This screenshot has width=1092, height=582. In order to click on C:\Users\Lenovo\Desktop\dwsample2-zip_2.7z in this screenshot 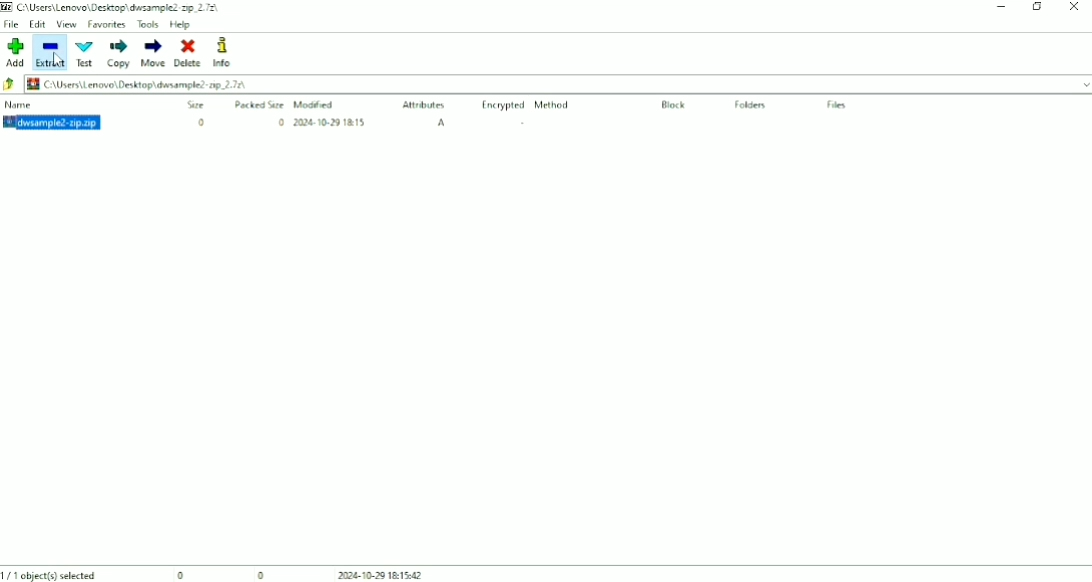, I will do `click(119, 7)`.